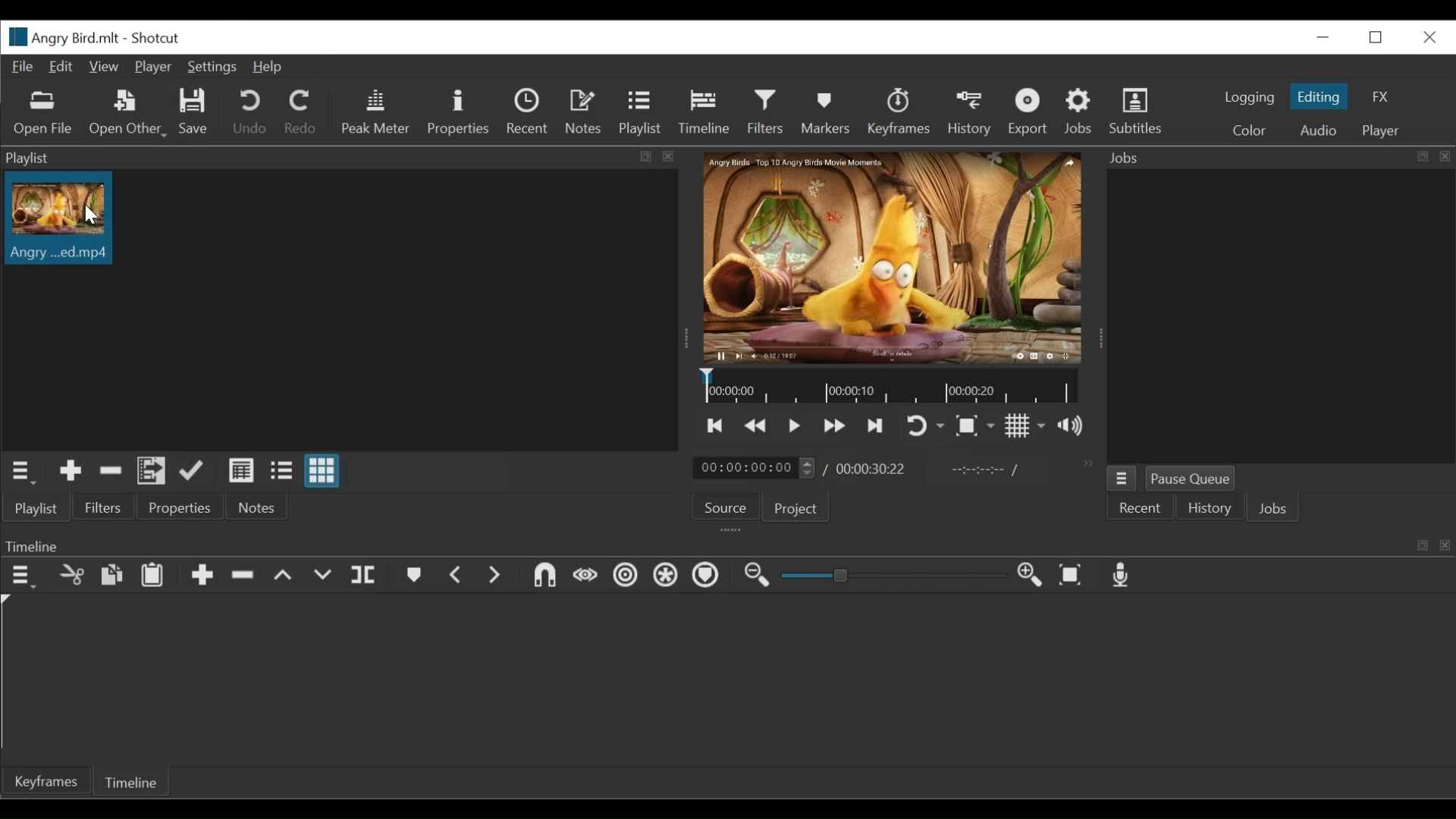 Image resolution: width=1456 pixels, height=819 pixels. I want to click on Timeline, so click(128, 781).